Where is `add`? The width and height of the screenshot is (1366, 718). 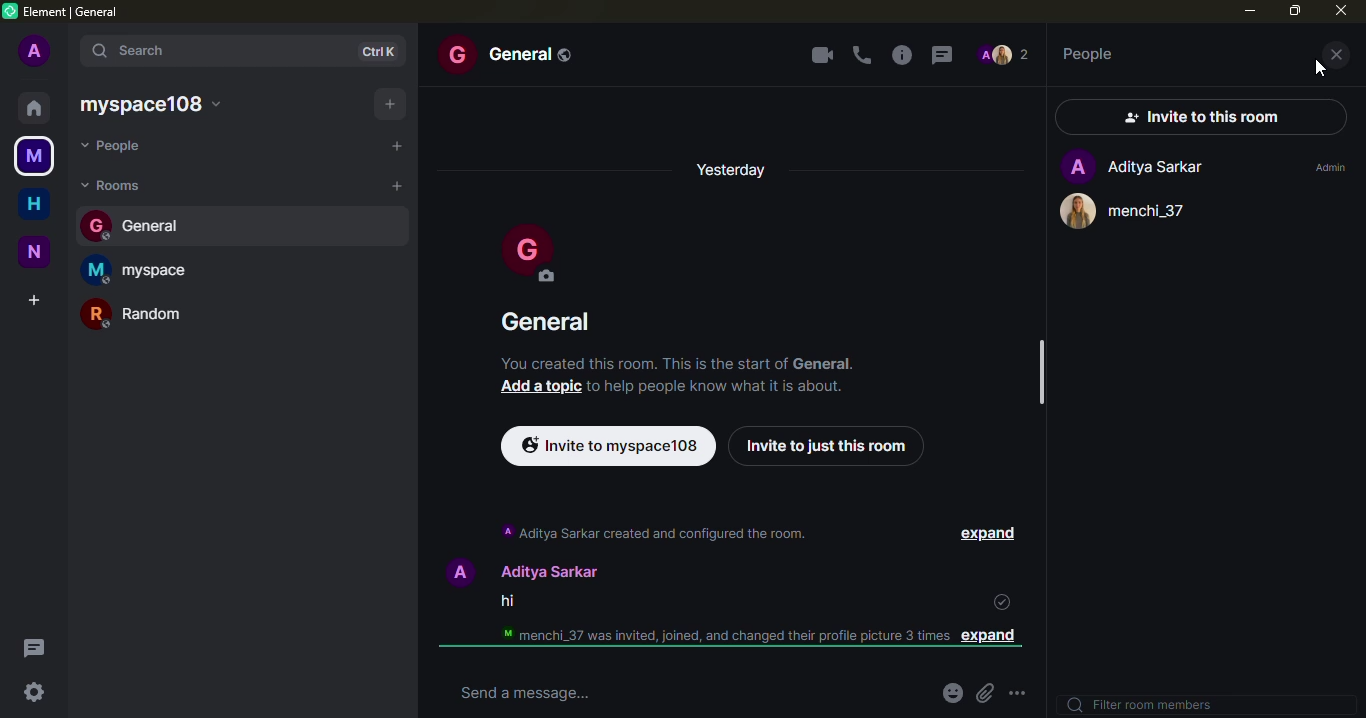 add is located at coordinates (395, 184).